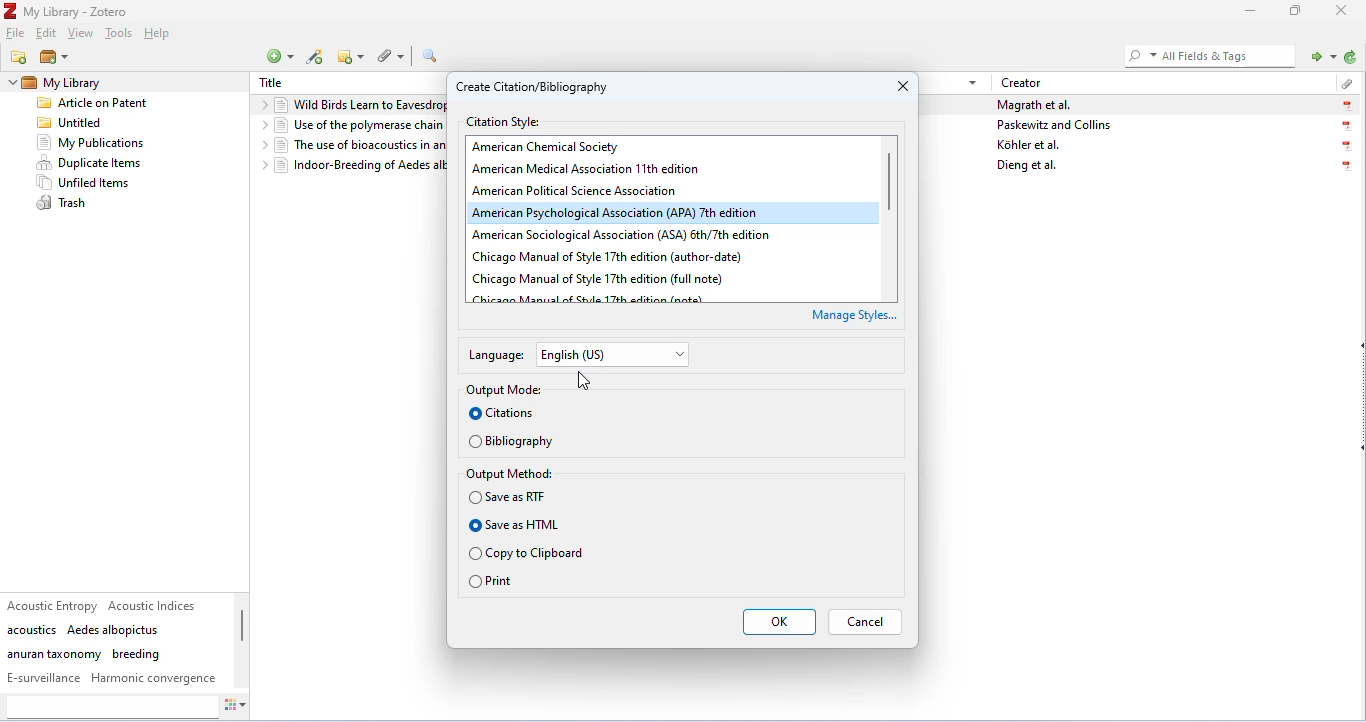 This screenshot has height=722, width=1366. What do you see at coordinates (498, 355) in the screenshot?
I see `language` at bounding box center [498, 355].